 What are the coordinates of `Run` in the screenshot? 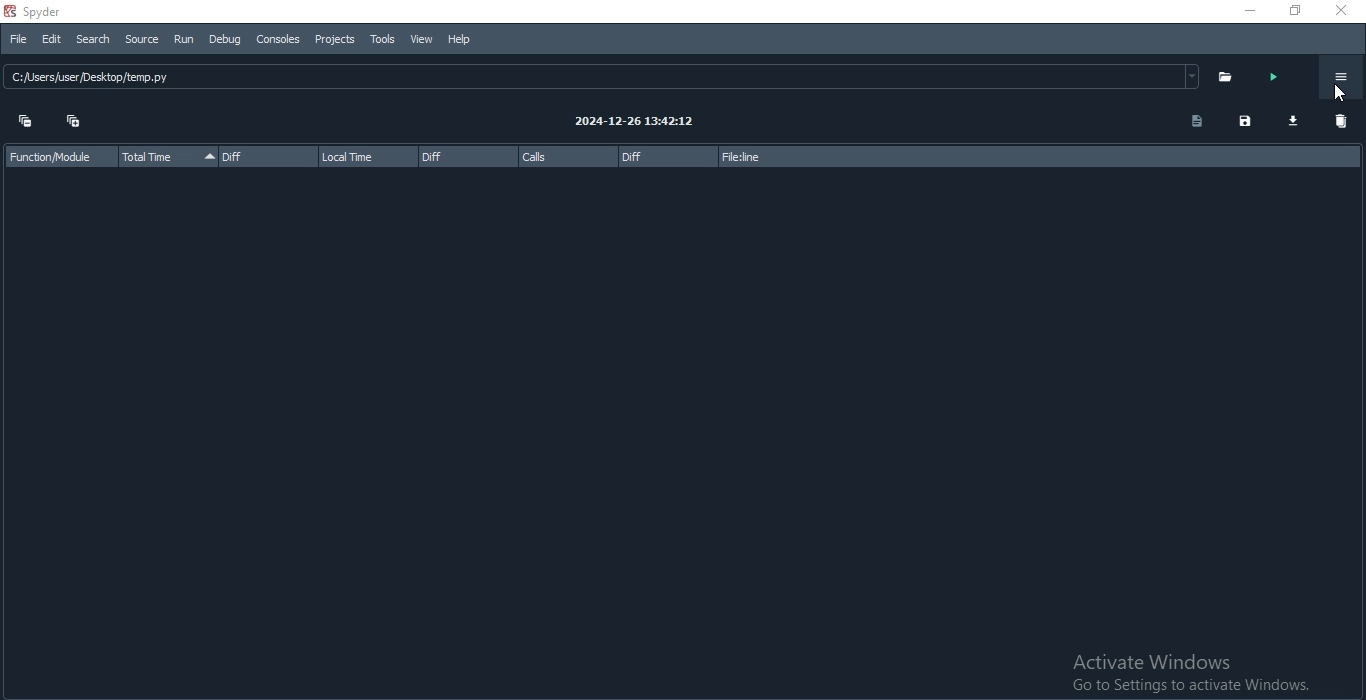 It's located at (186, 42).